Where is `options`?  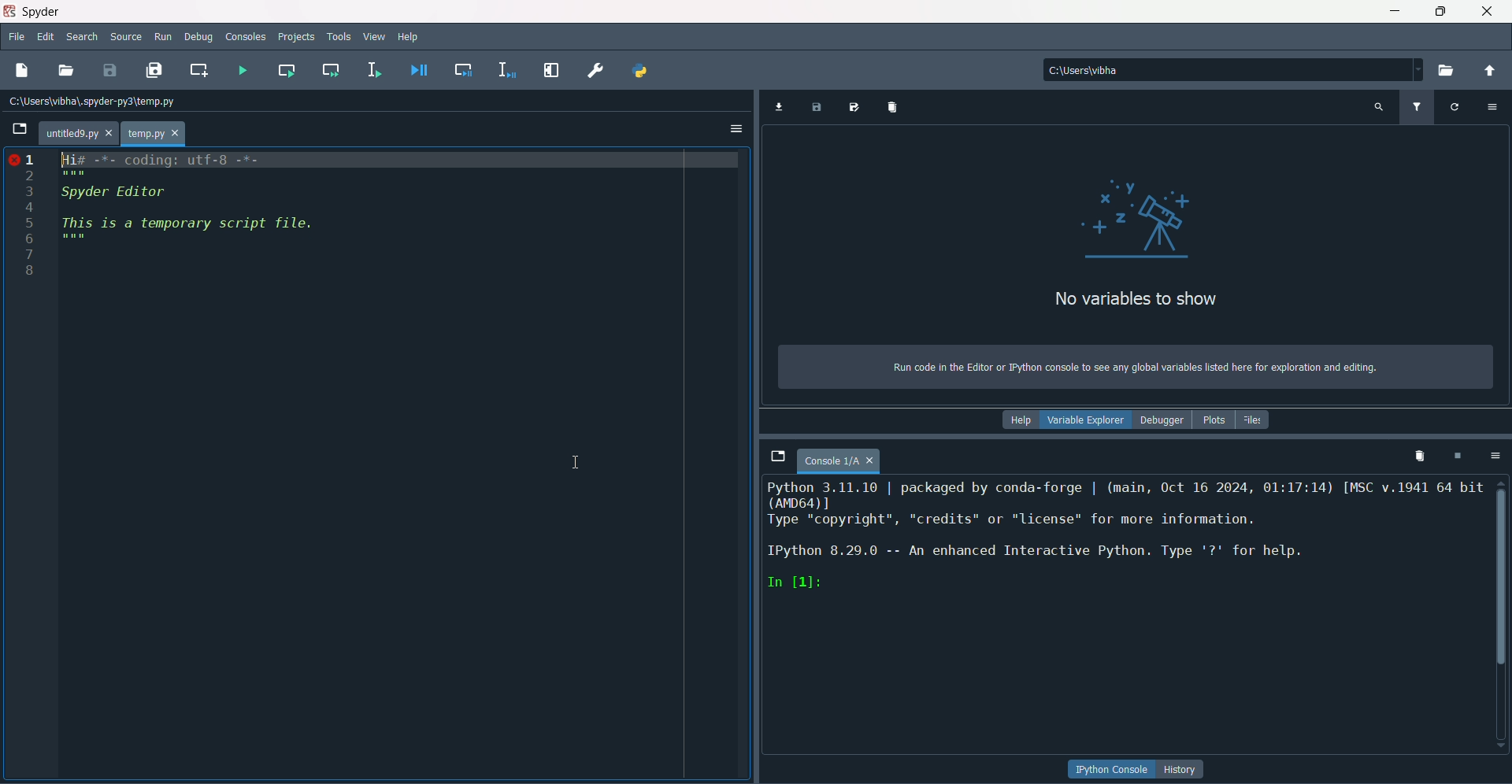
options is located at coordinates (1499, 457).